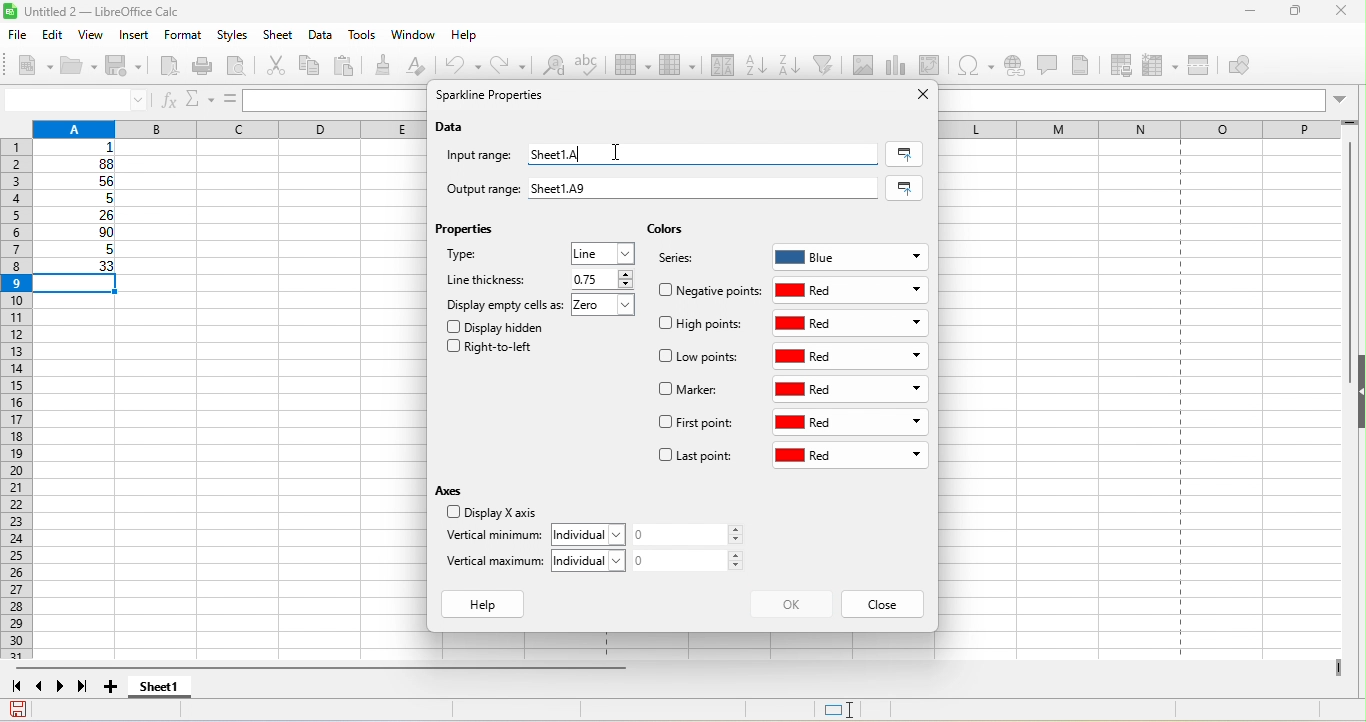  Describe the element at coordinates (279, 67) in the screenshot. I see `cut` at that location.